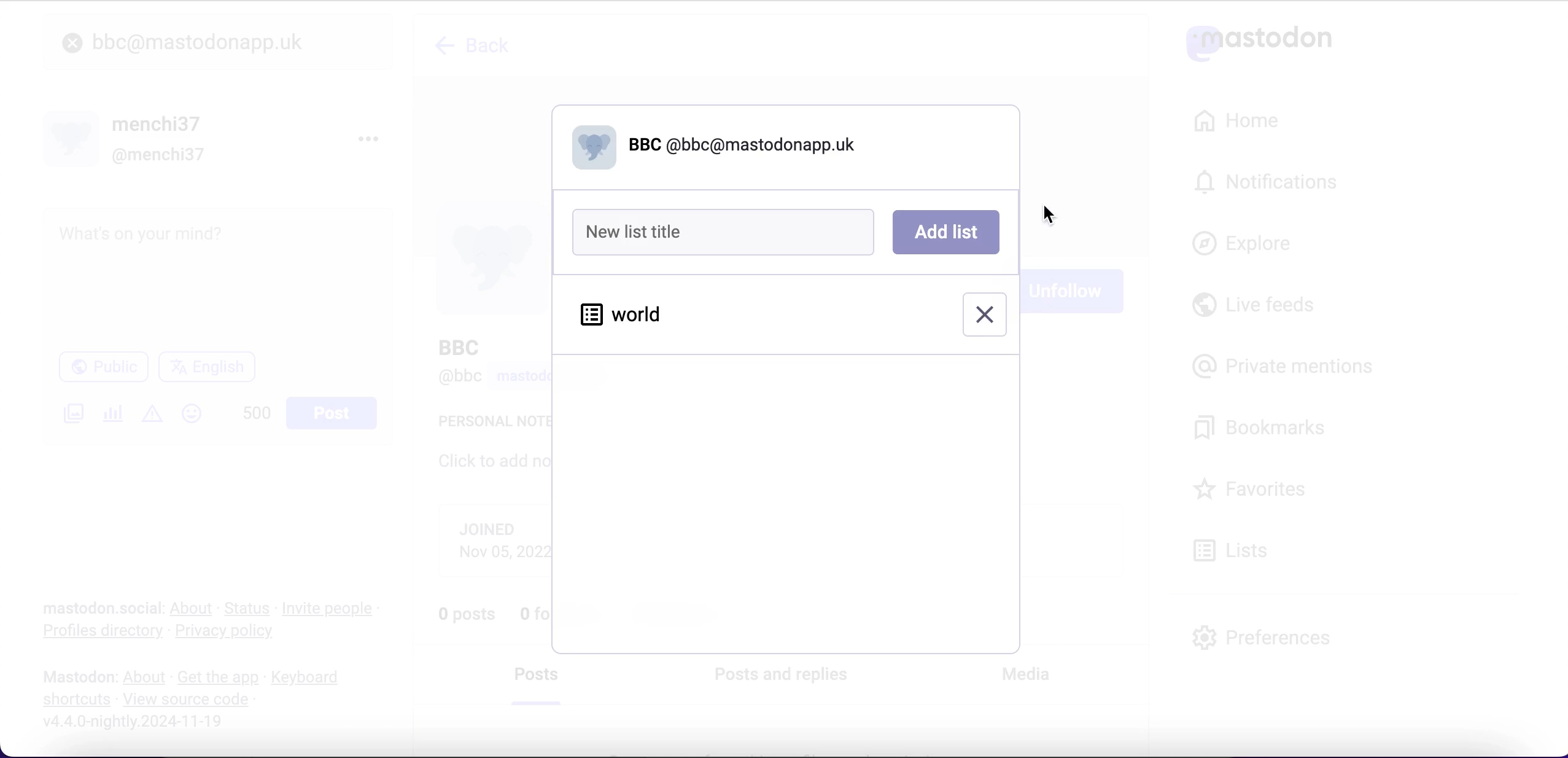  What do you see at coordinates (219, 276) in the screenshot?
I see `post what's n your mind` at bounding box center [219, 276].